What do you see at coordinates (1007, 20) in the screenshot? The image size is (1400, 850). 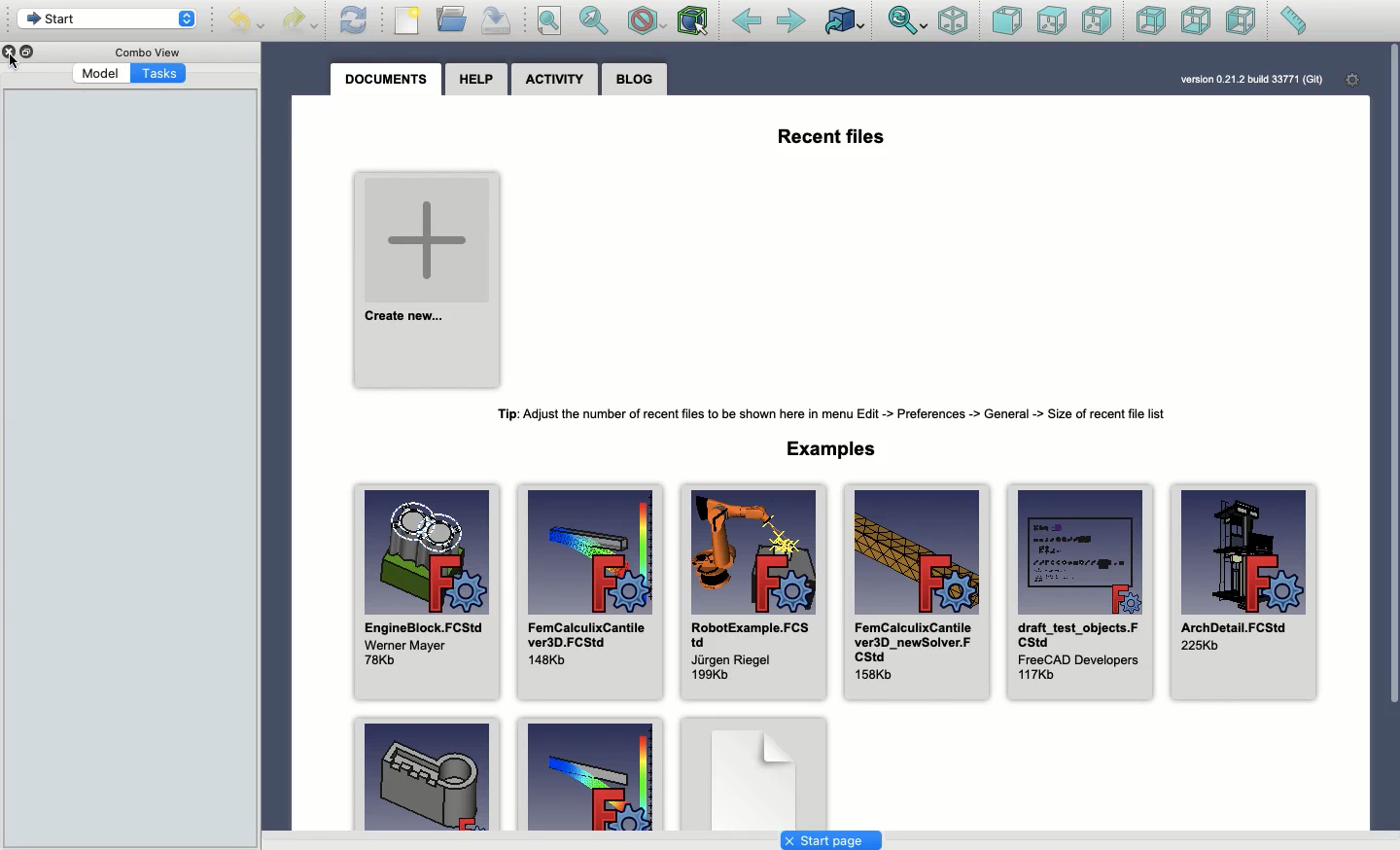 I see `Front` at bounding box center [1007, 20].